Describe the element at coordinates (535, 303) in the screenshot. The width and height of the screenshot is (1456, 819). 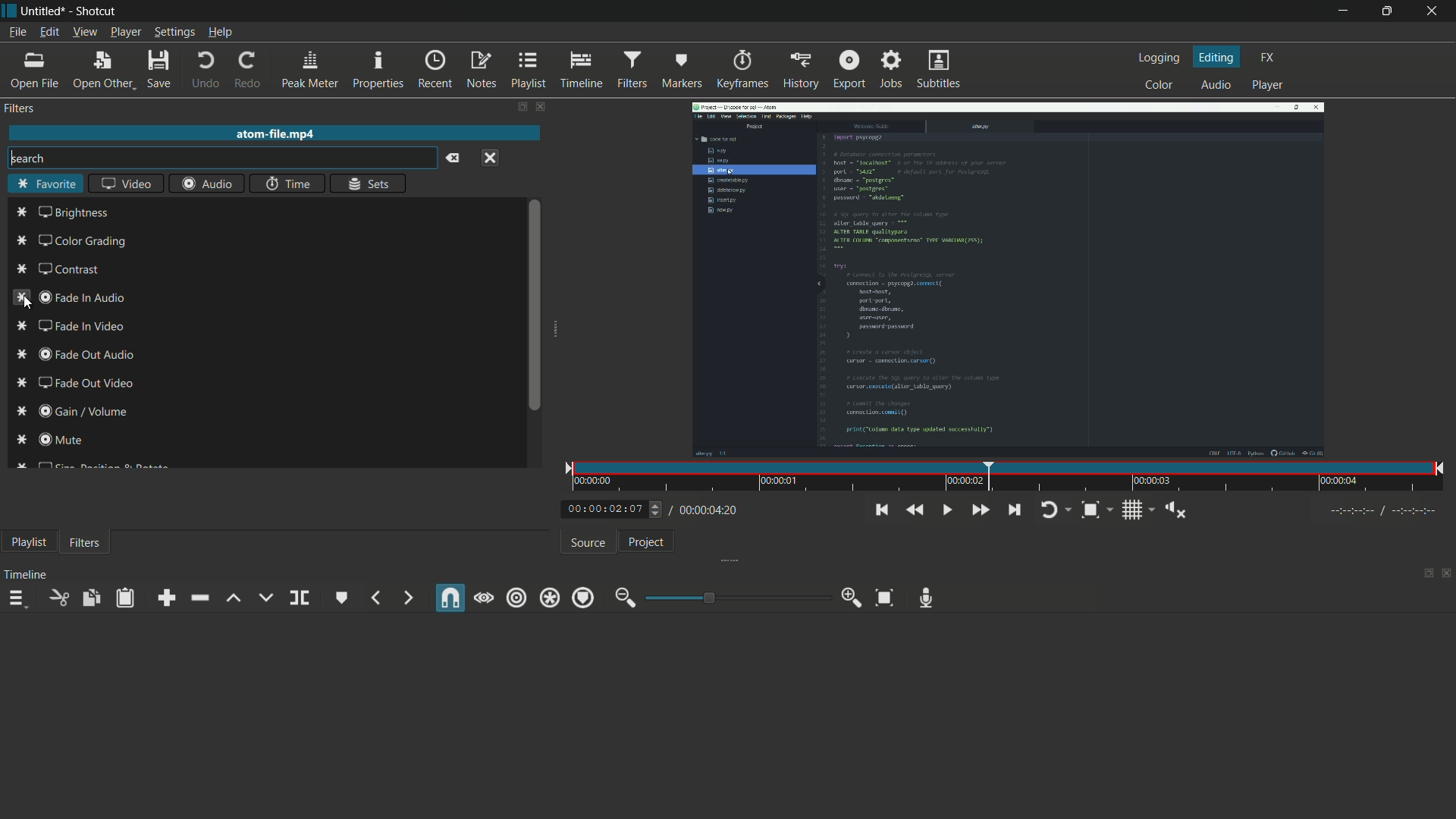
I see `scroll bar` at that location.